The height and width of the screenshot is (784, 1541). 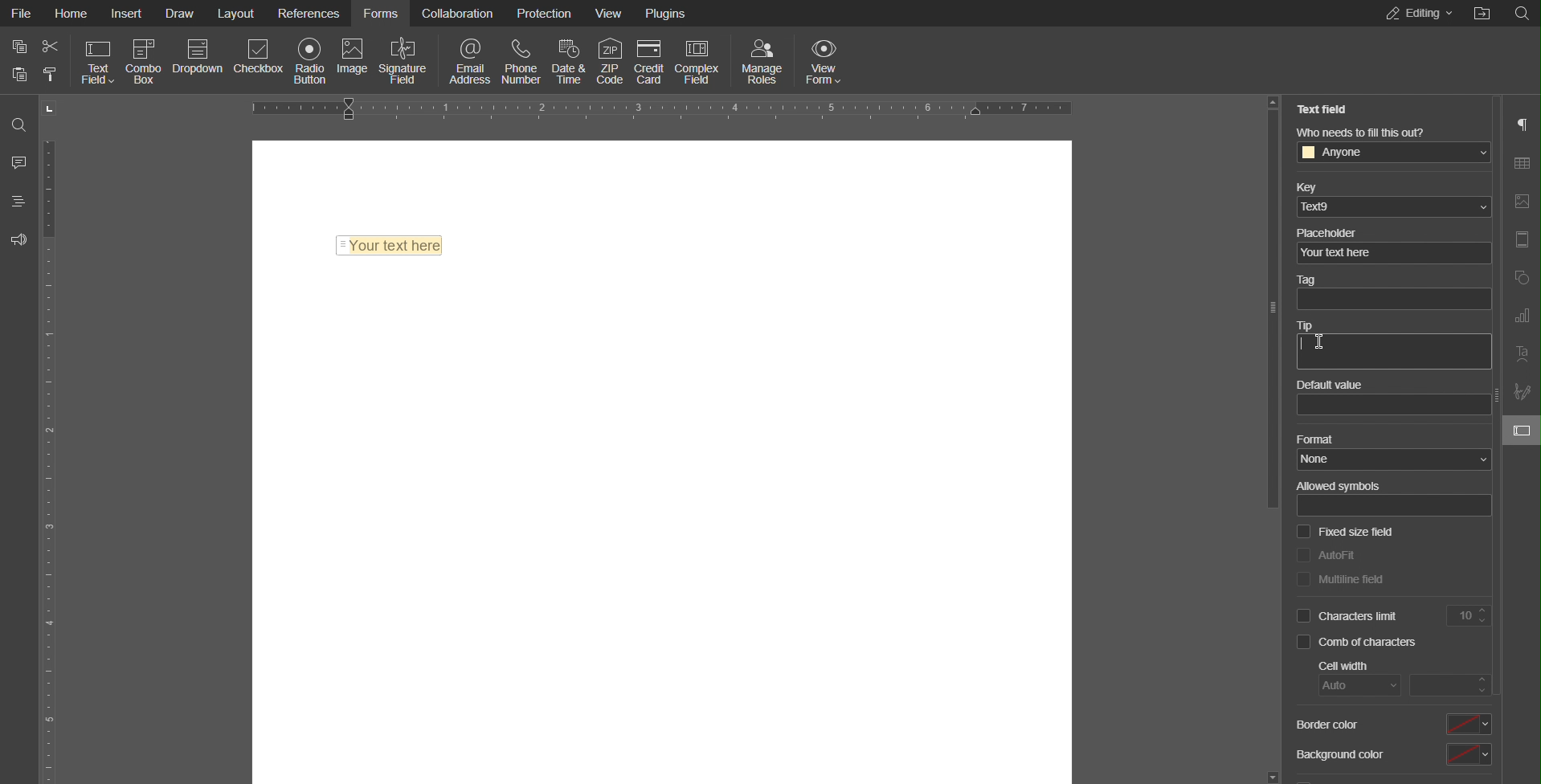 I want to click on Tag, so click(x=1391, y=280).